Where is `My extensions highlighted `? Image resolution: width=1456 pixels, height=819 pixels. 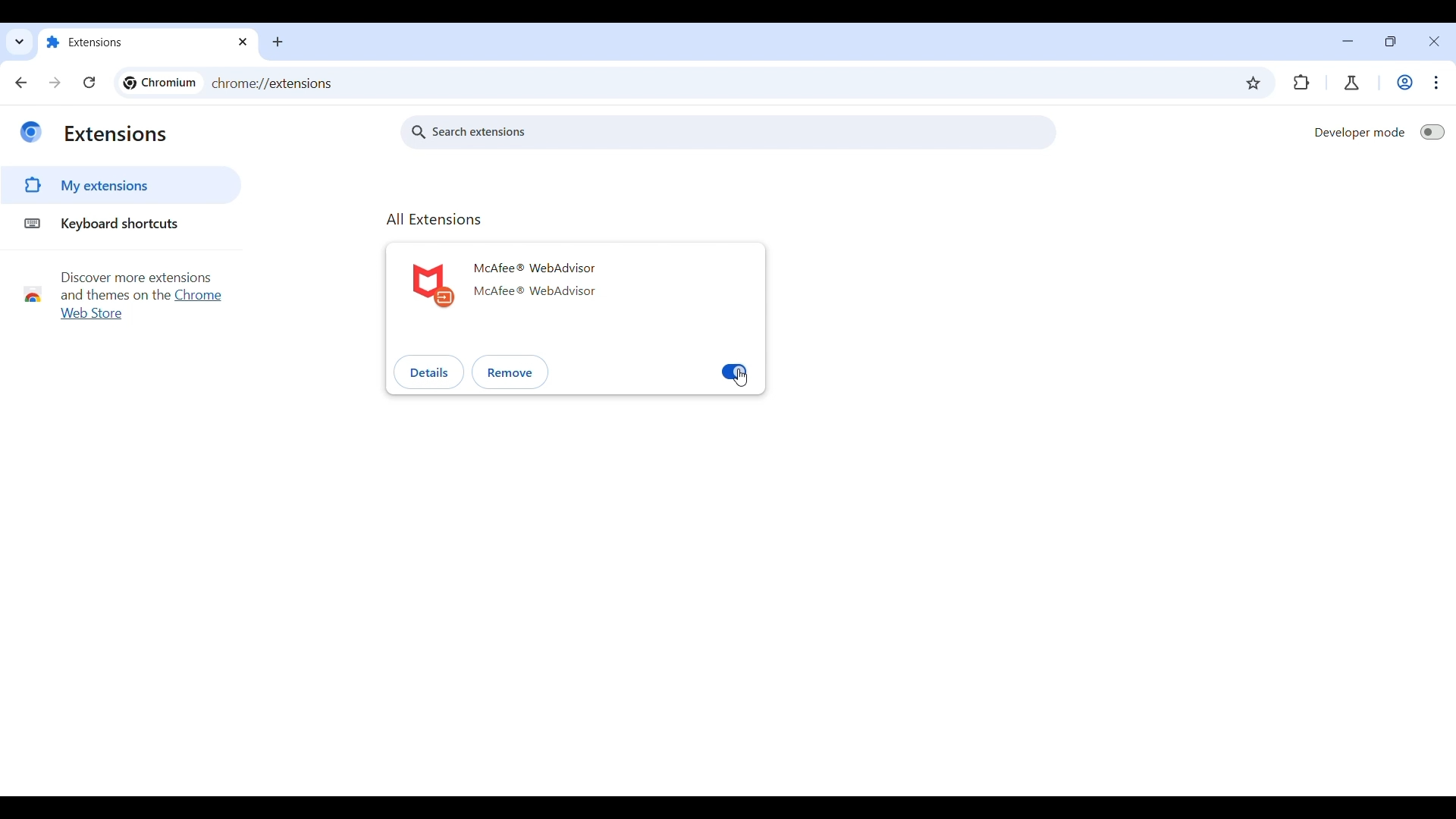
My extensions highlighted  is located at coordinates (91, 185).